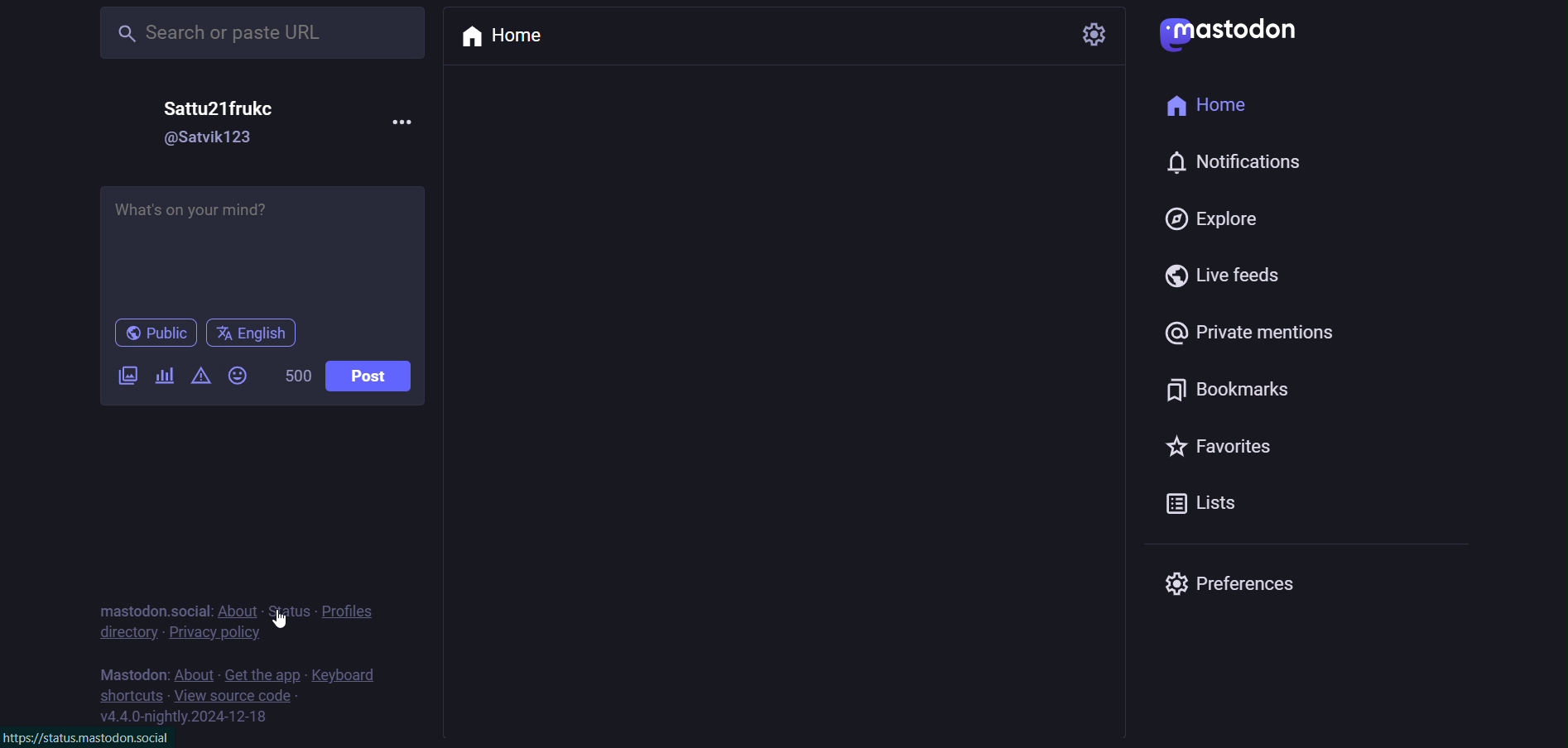 The height and width of the screenshot is (748, 1568). I want to click on private mention, so click(1255, 334).